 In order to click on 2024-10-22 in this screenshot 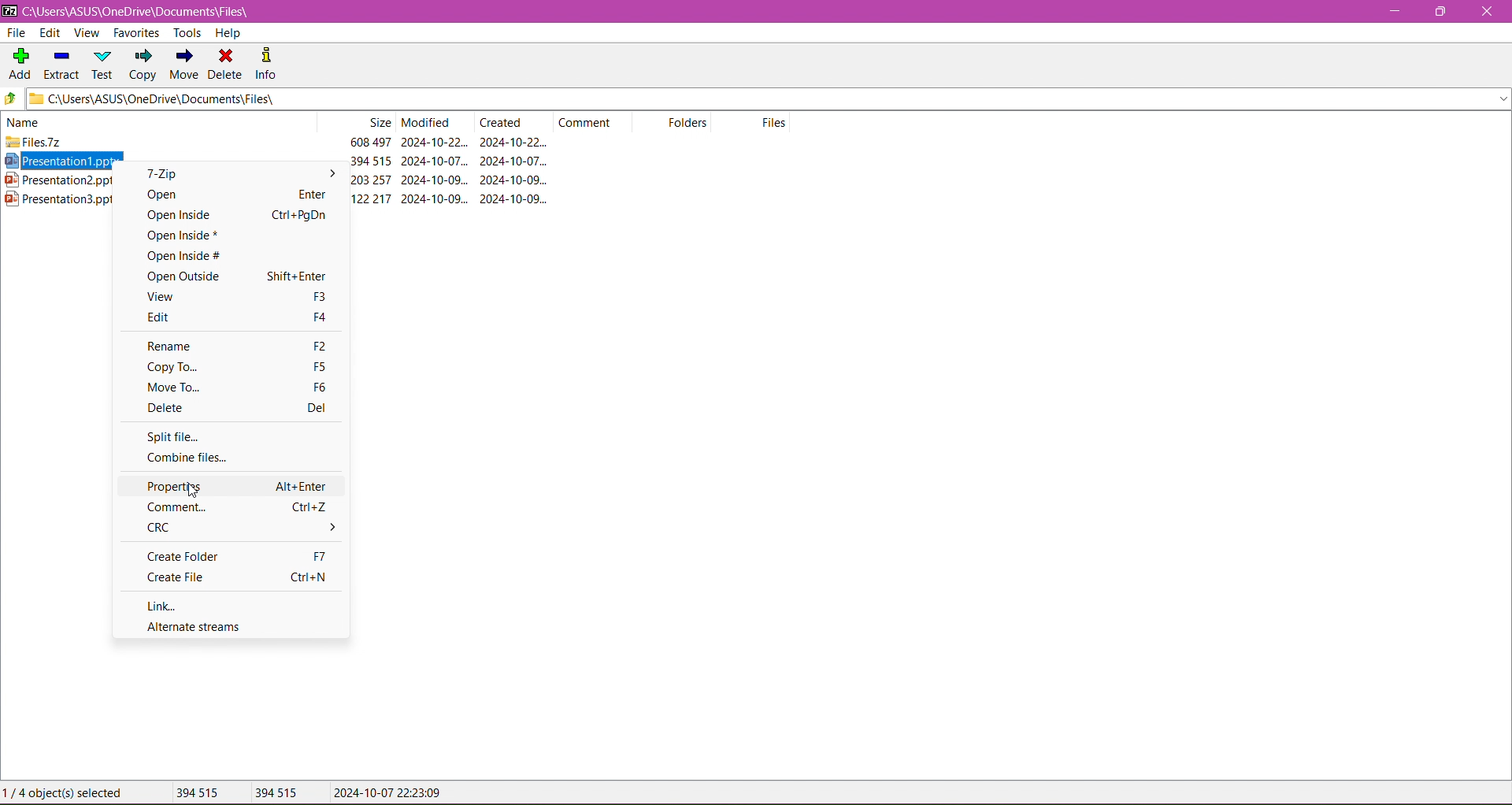, I will do `click(513, 142)`.